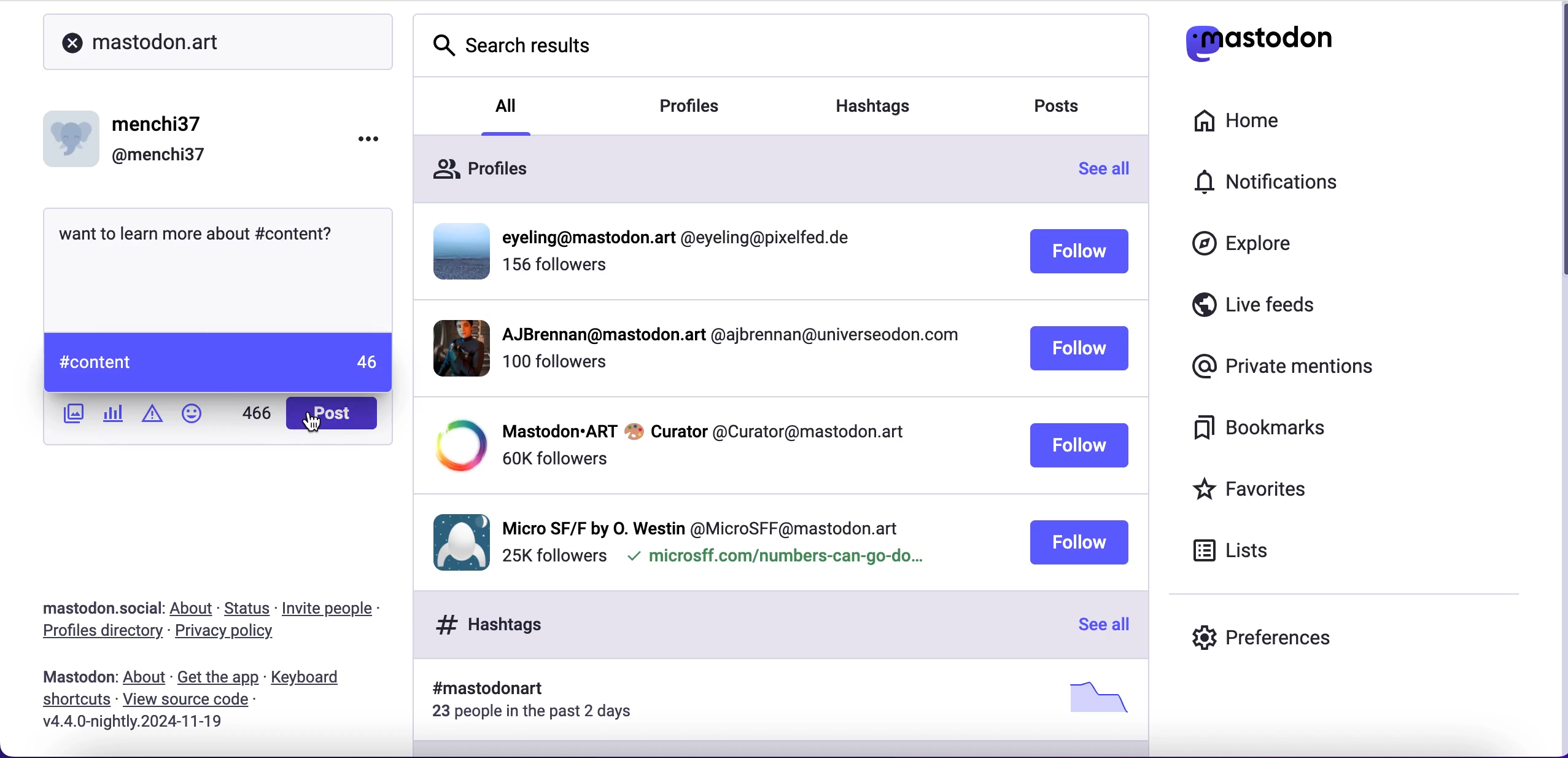 The width and height of the screenshot is (1568, 758). Describe the element at coordinates (456, 540) in the screenshot. I see `display picture` at that location.